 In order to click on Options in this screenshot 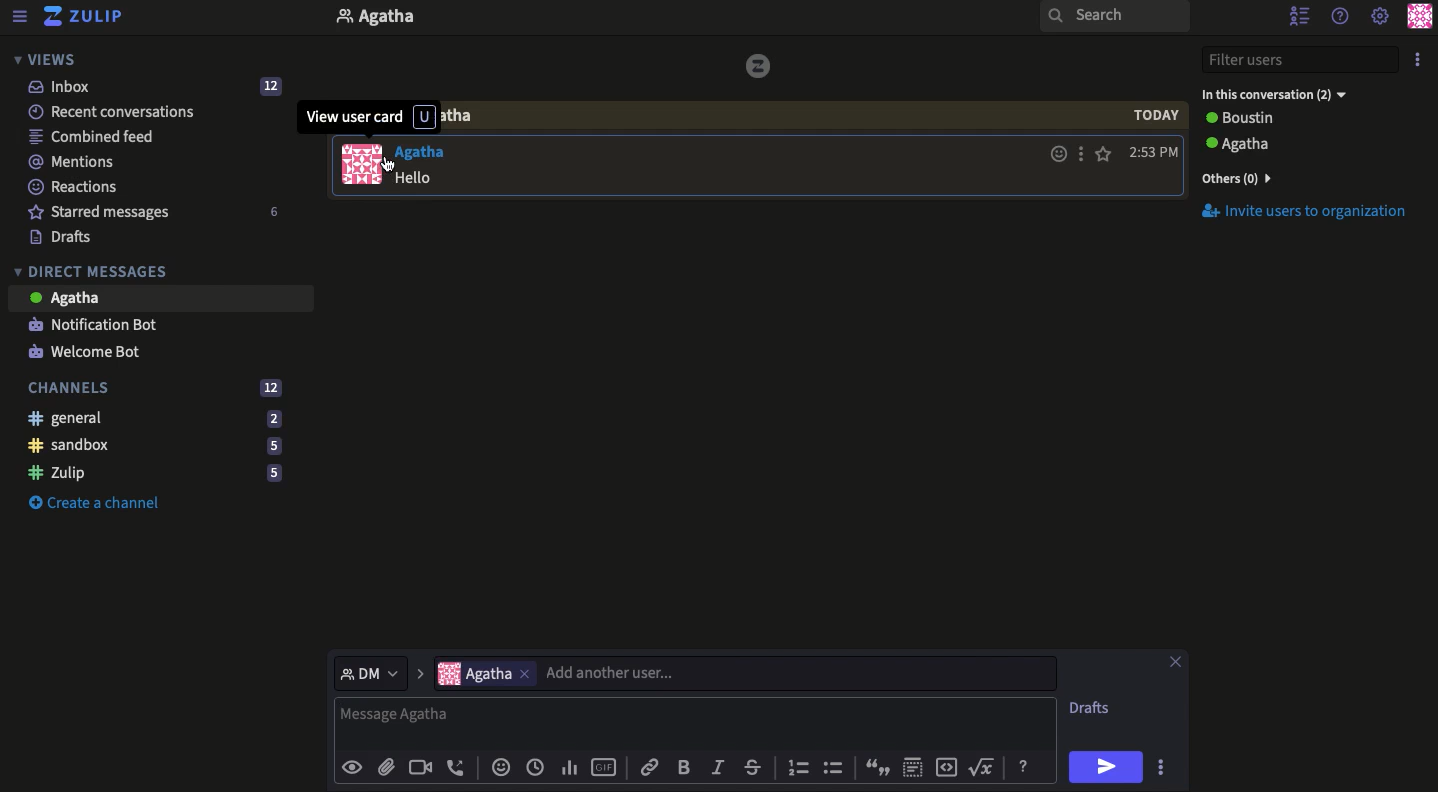, I will do `click(1080, 154)`.